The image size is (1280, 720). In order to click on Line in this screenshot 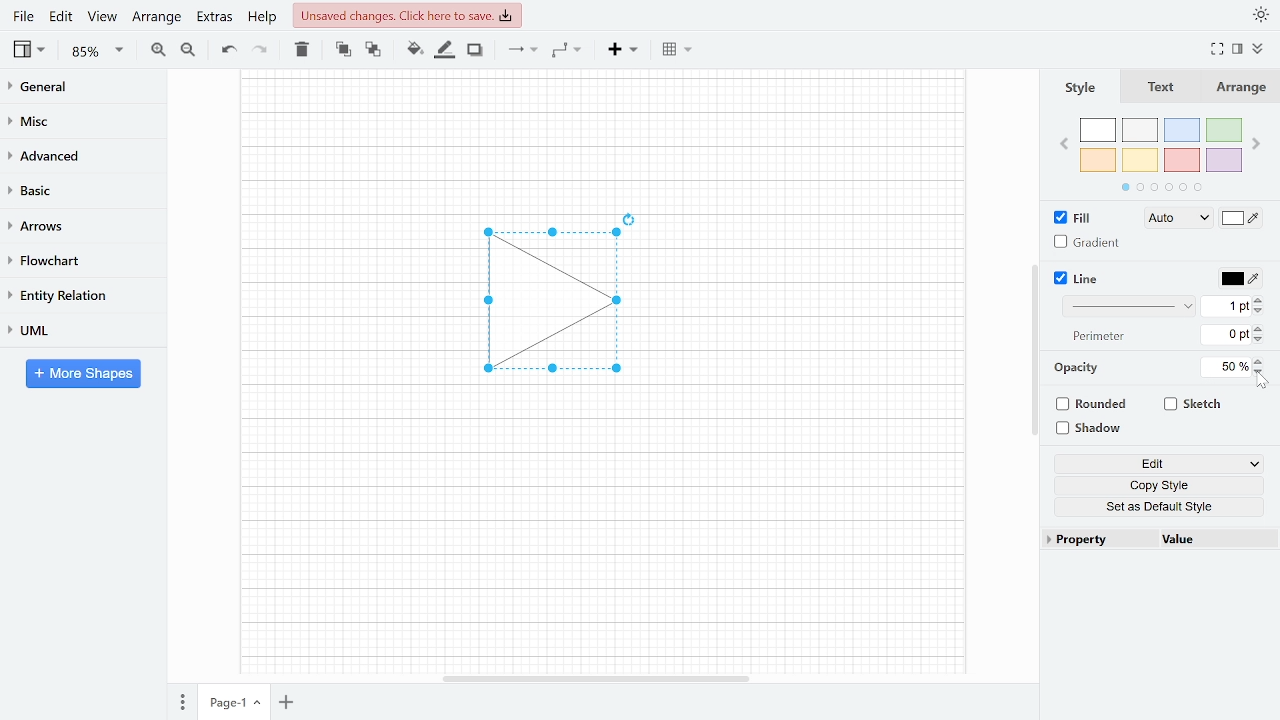, I will do `click(1078, 279)`.